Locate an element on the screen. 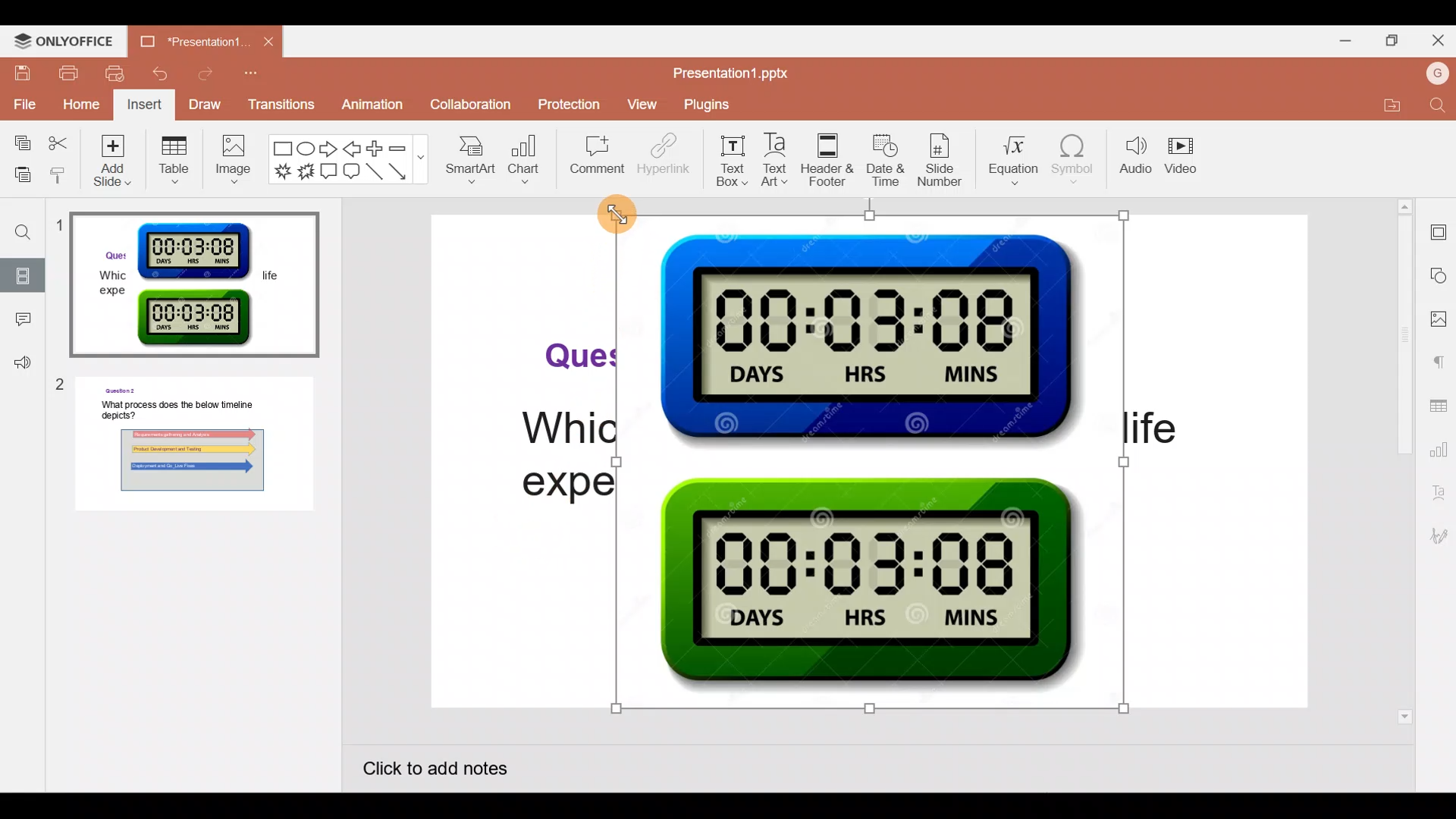 Image resolution: width=1456 pixels, height=819 pixels. Redo is located at coordinates (215, 71).